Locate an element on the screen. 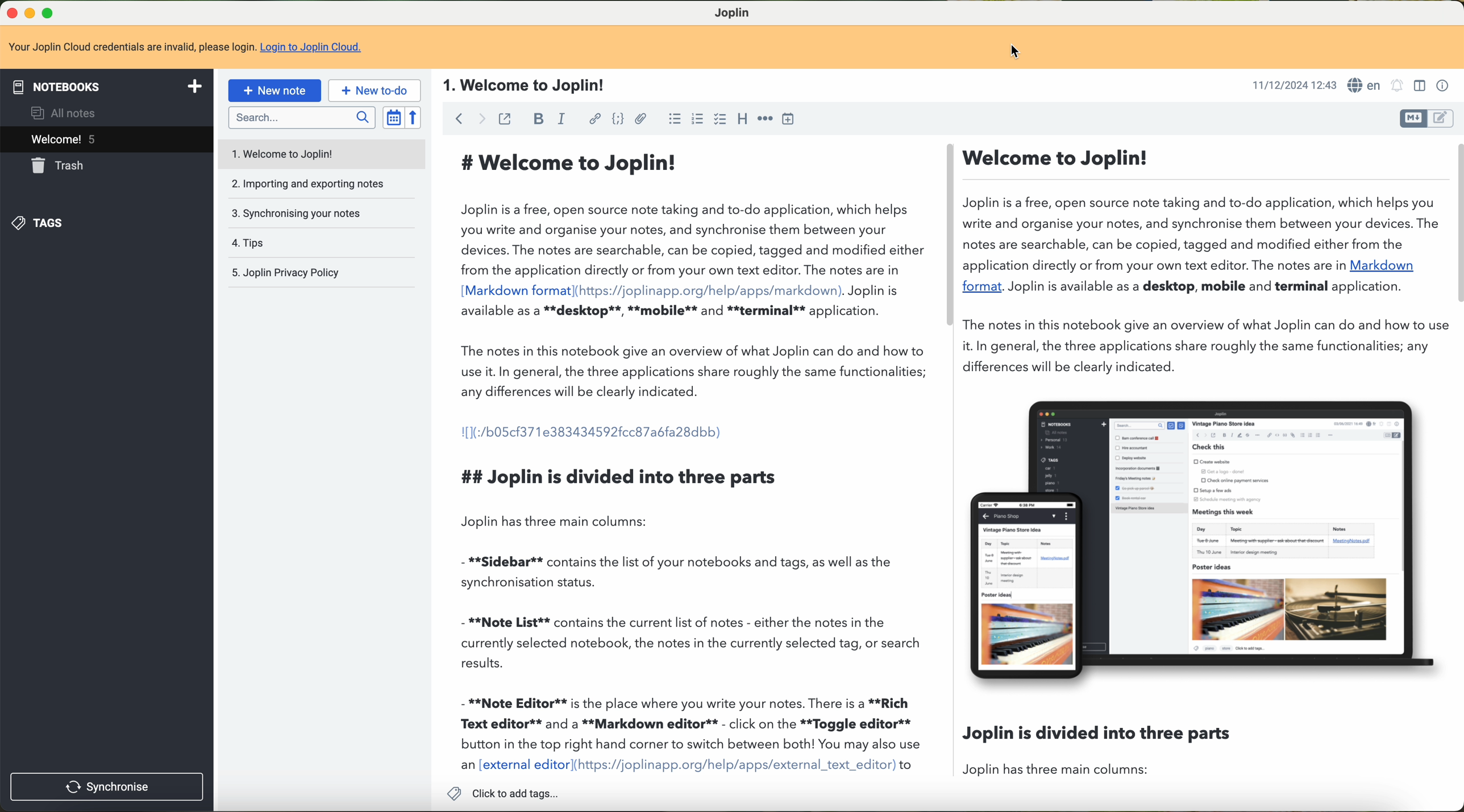 The width and height of the screenshot is (1464, 812). horizontal rule is located at coordinates (765, 117).